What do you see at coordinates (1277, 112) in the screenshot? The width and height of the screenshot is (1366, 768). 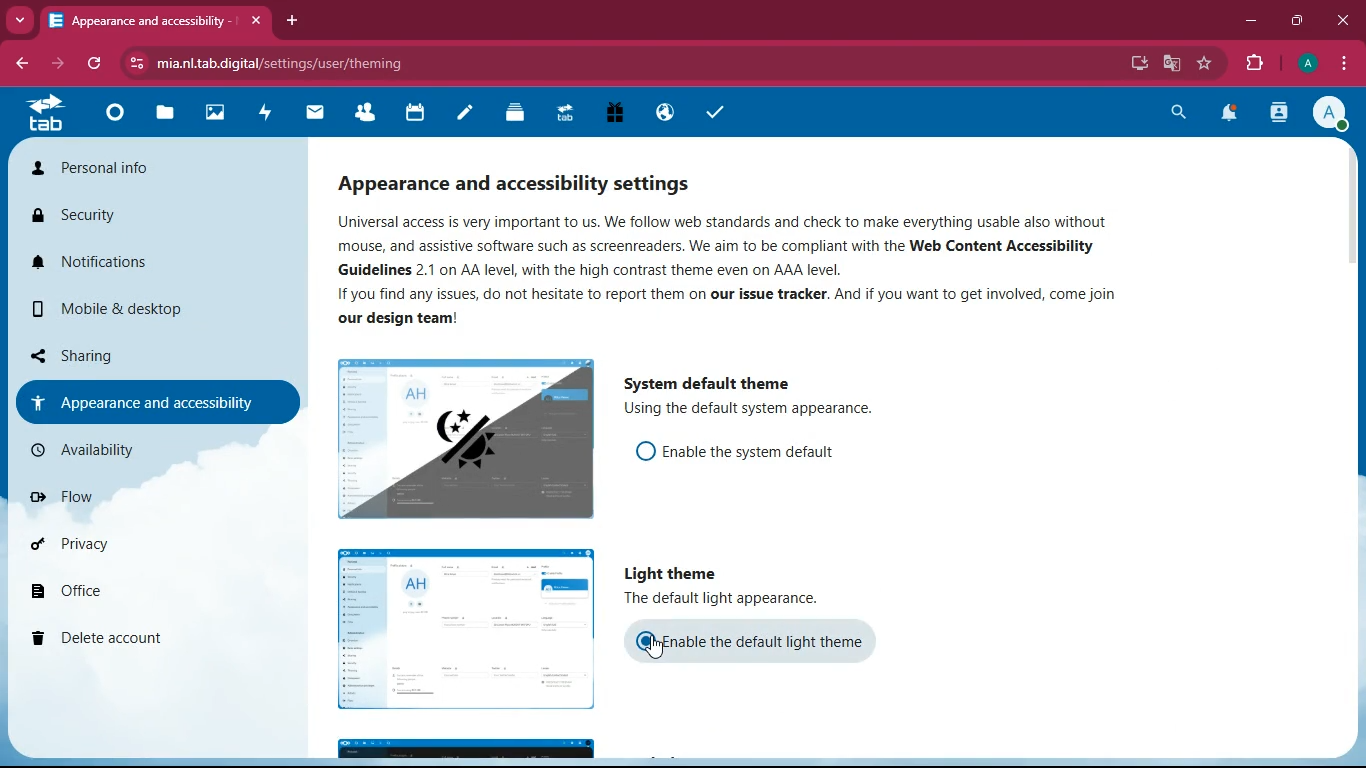 I see `activity` at bounding box center [1277, 112].